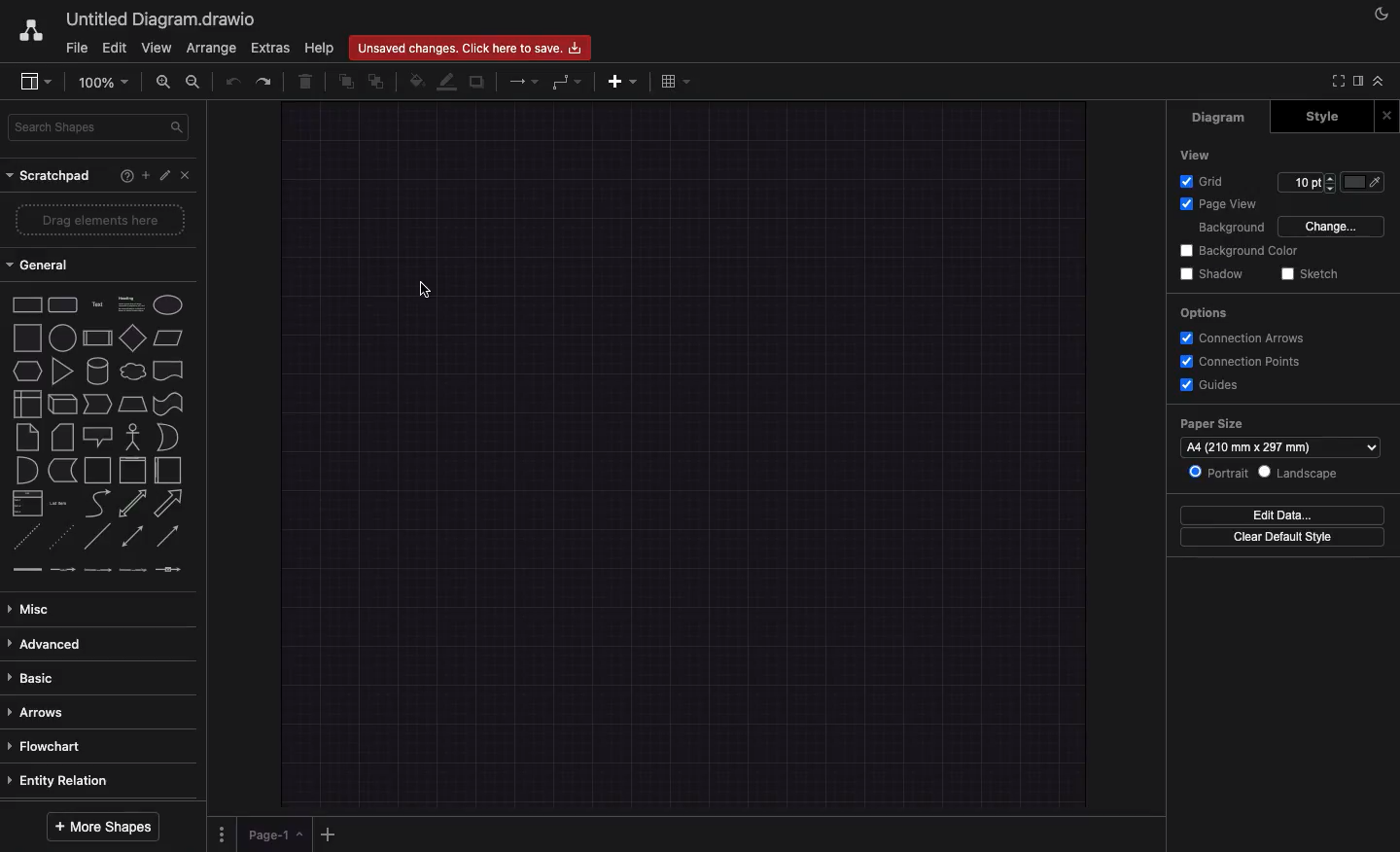  What do you see at coordinates (169, 437) in the screenshot?
I see `and` at bounding box center [169, 437].